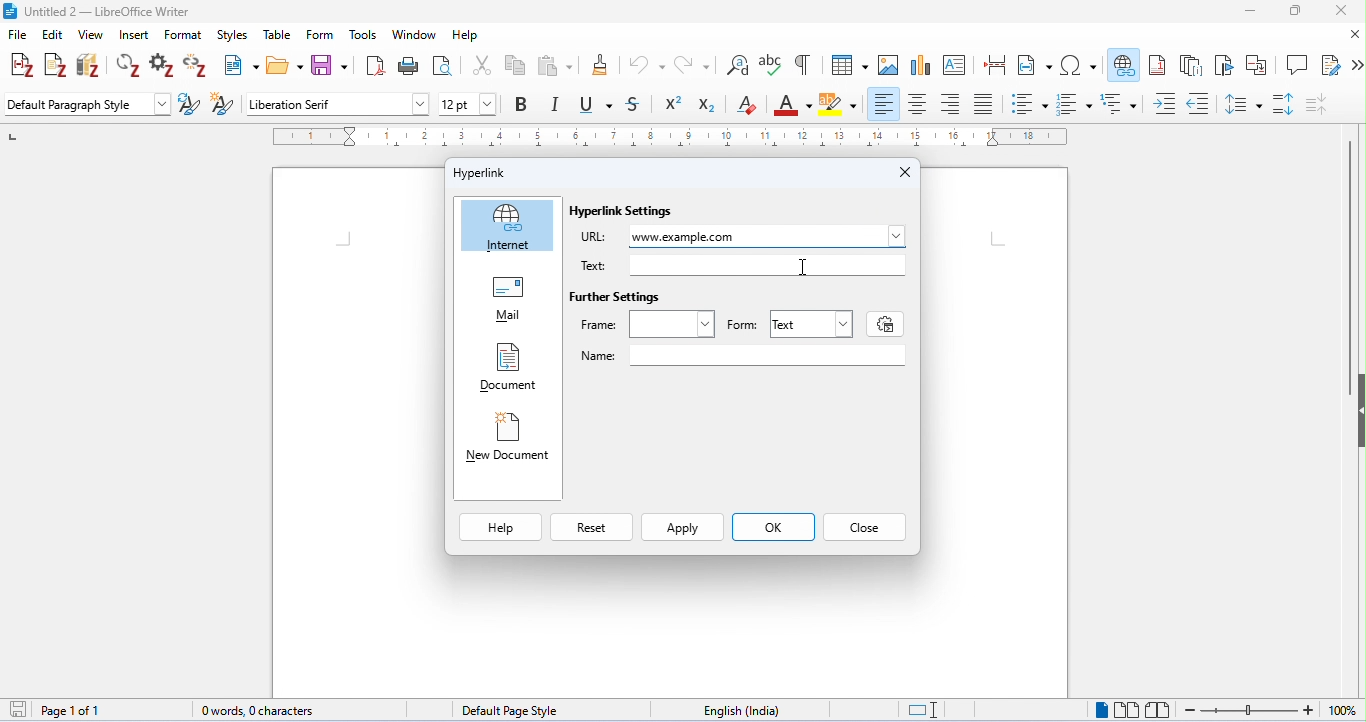  I want to click on font style, so click(338, 105).